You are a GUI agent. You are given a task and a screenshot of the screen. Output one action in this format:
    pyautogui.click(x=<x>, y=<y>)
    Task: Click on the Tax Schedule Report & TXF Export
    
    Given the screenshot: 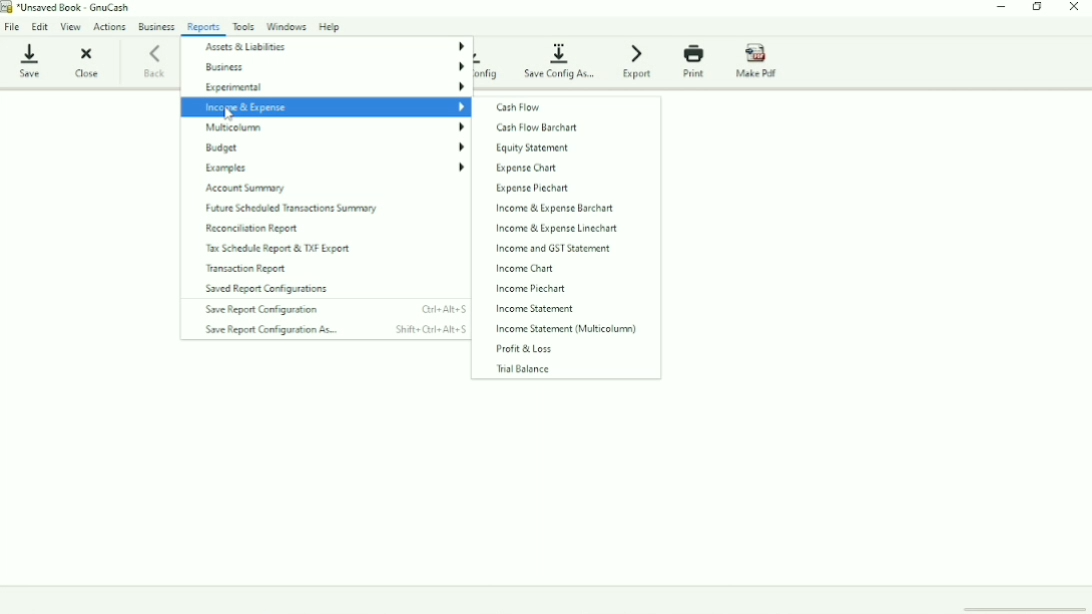 What is the action you would take?
    pyautogui.click(x=277, y=249)
    